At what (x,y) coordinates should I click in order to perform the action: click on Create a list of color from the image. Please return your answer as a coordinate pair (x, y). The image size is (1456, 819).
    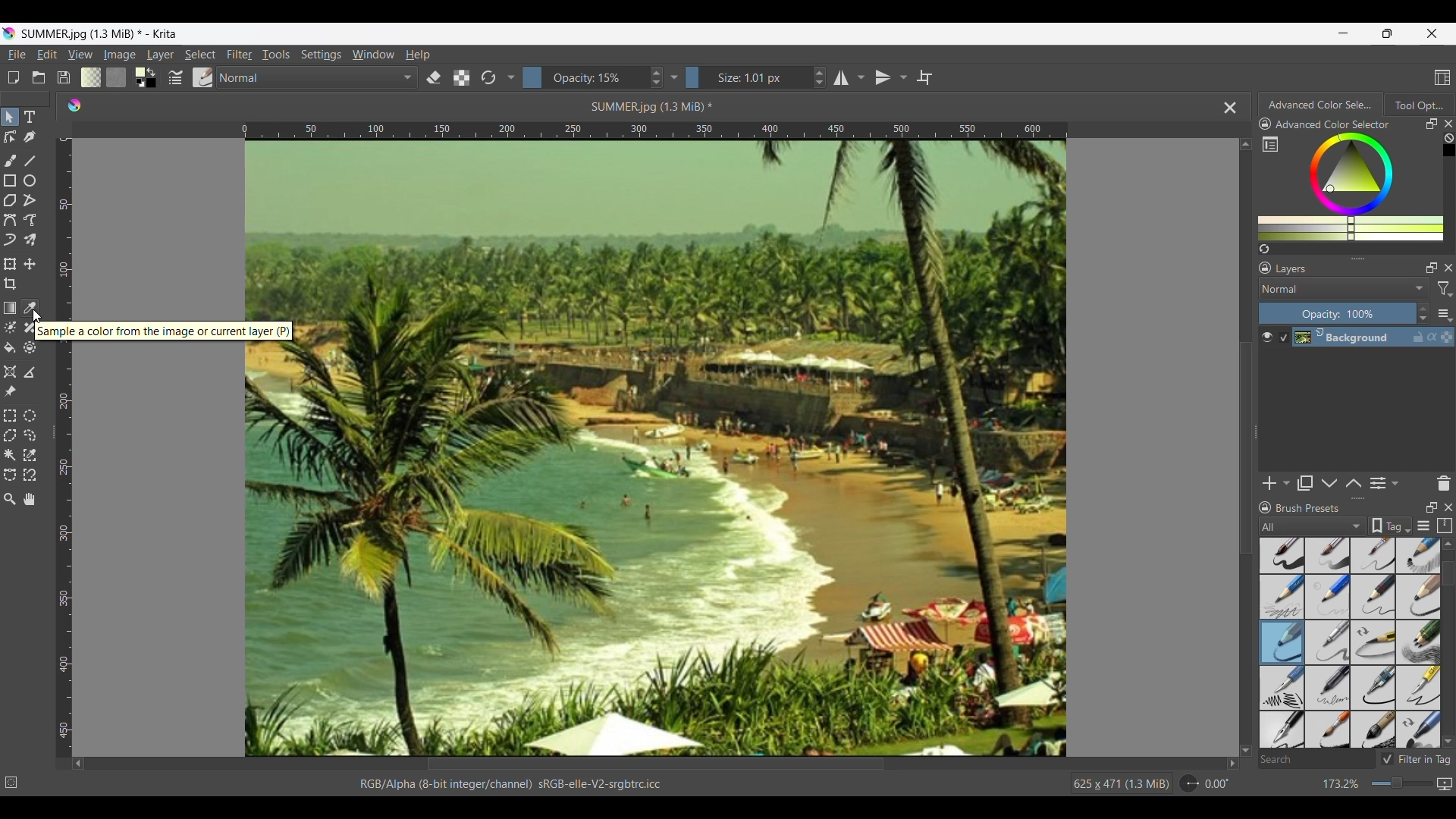
    Looking at the image, I should click on (1265, 249).